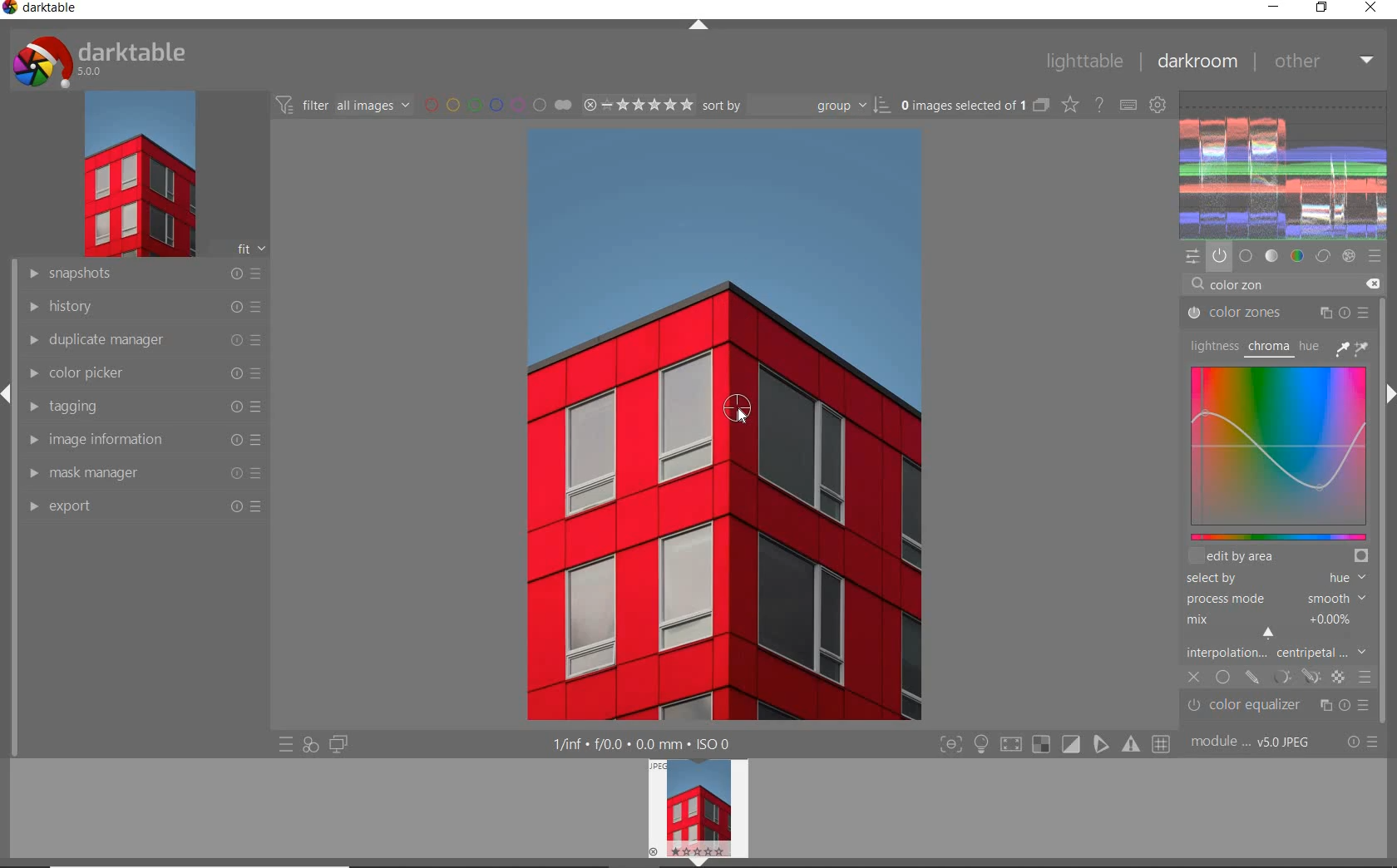  Describe the element at coordinates (1072, 106) in the screenshot. I see `change type of overlays` at that location.